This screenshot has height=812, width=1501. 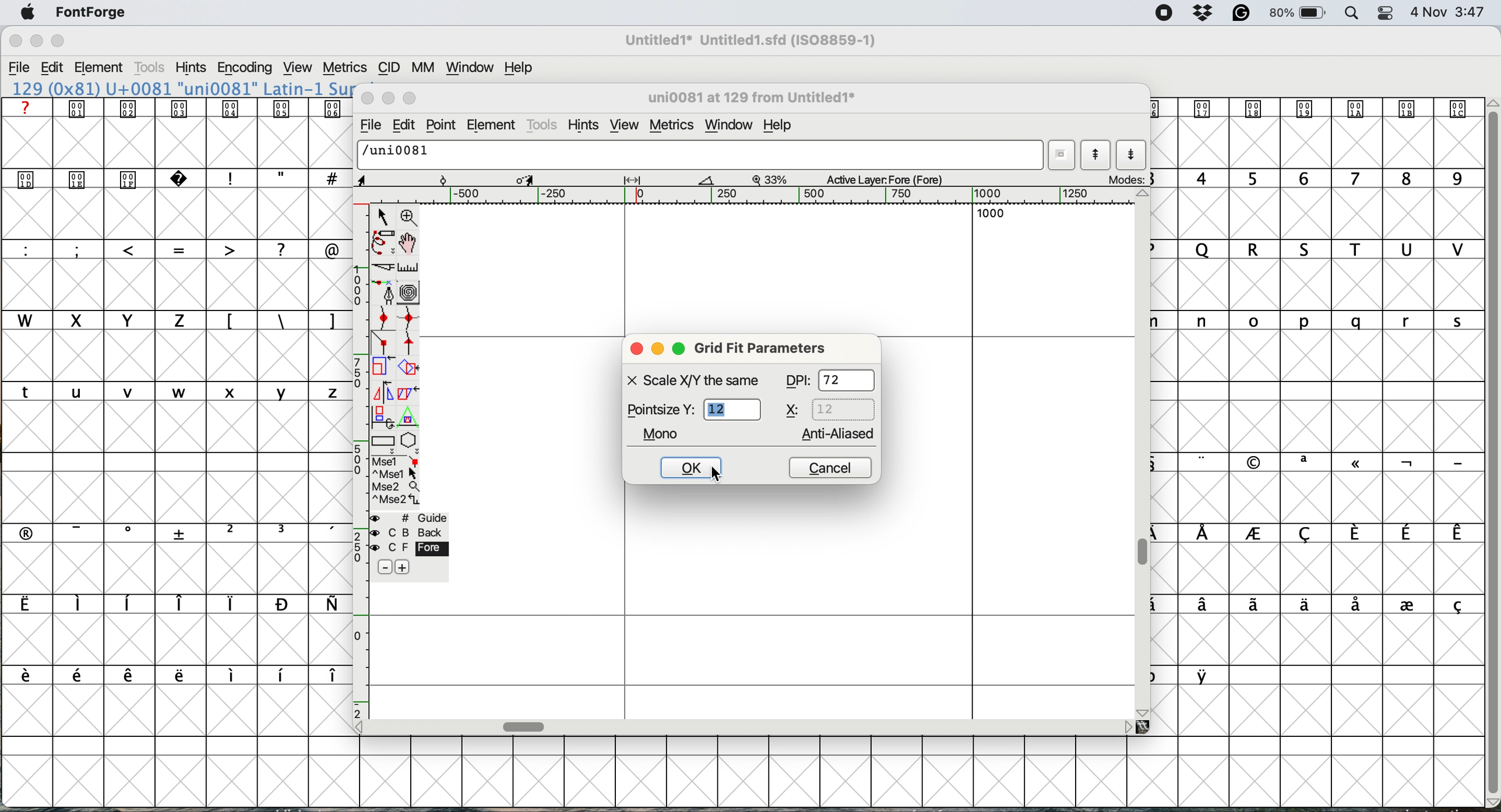 I want to click on MM, so click(x=424, y=68).